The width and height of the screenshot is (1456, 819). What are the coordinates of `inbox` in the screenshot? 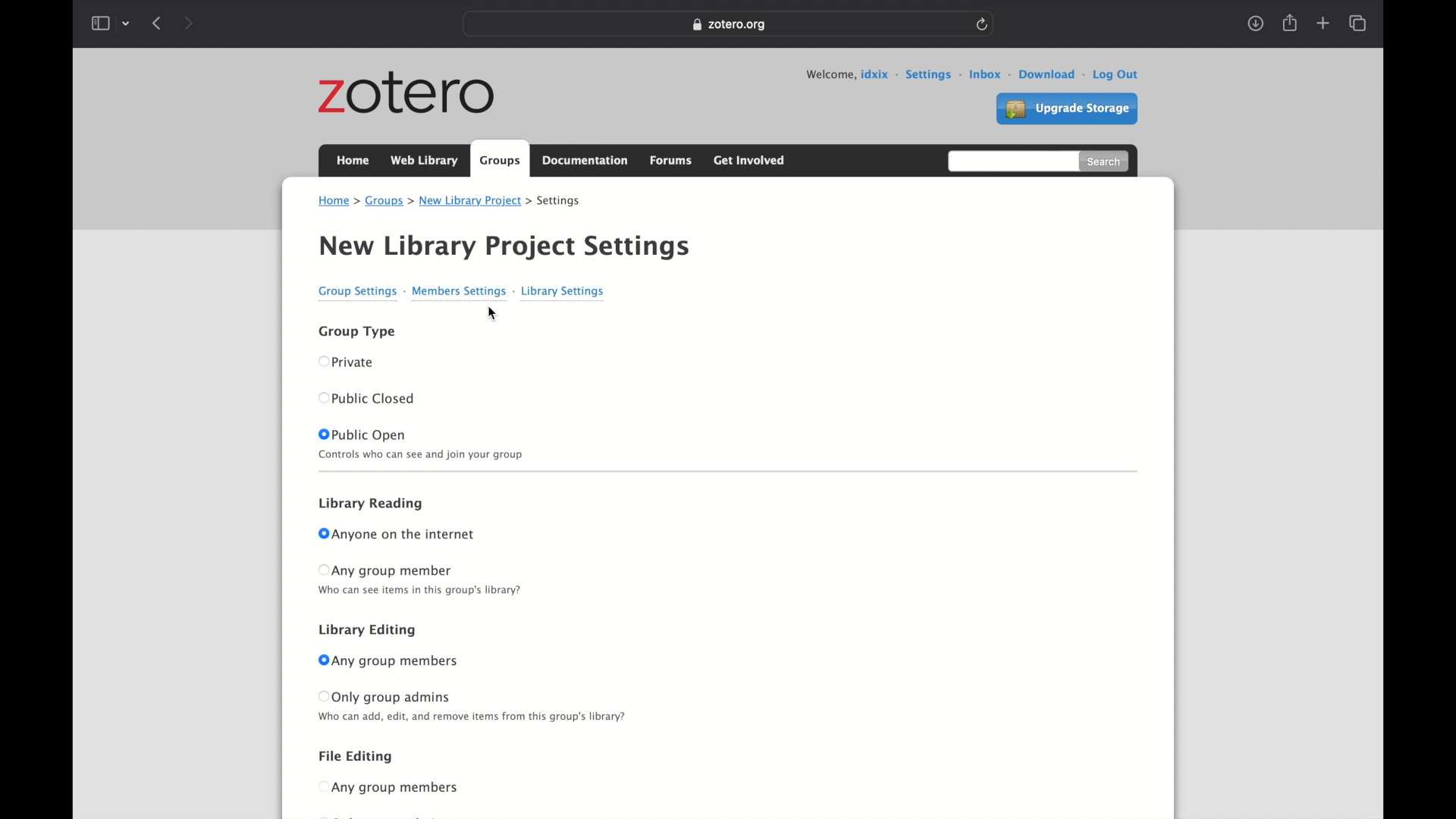 It's located at (990, 74).